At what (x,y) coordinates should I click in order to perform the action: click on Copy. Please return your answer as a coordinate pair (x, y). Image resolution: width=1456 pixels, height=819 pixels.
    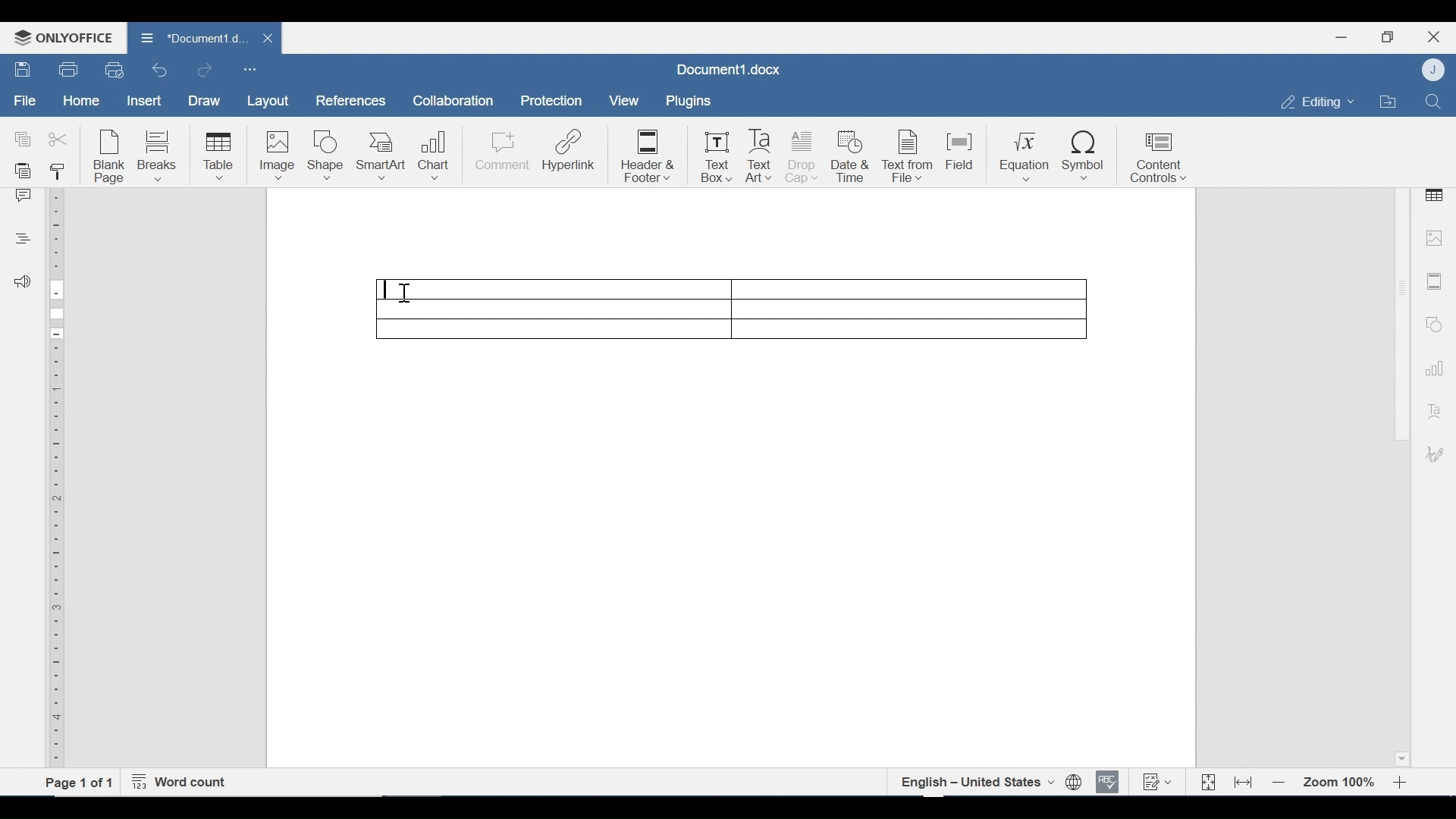
    Looking at the image, I should click on (24, 140).